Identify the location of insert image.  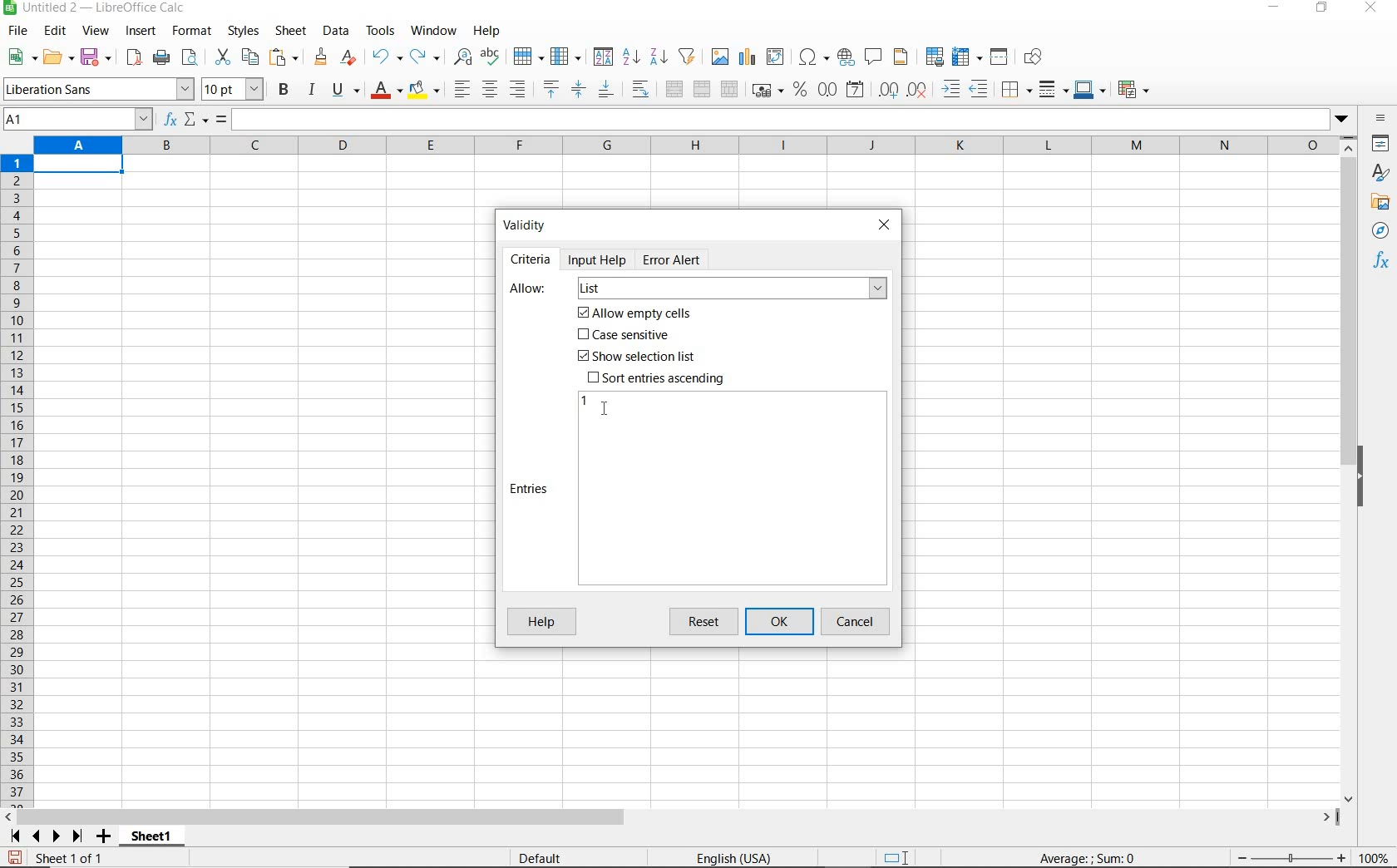
(722, 57).